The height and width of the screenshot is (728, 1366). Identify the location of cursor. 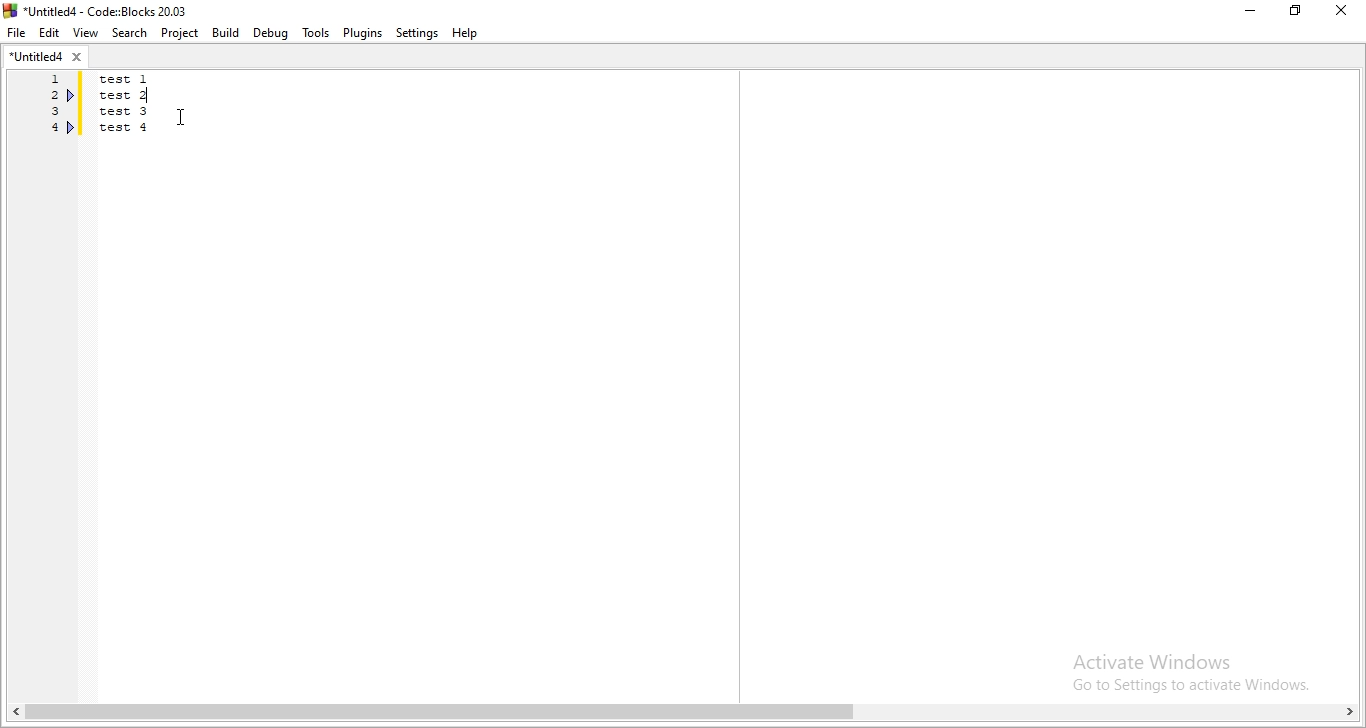
(179, 118).